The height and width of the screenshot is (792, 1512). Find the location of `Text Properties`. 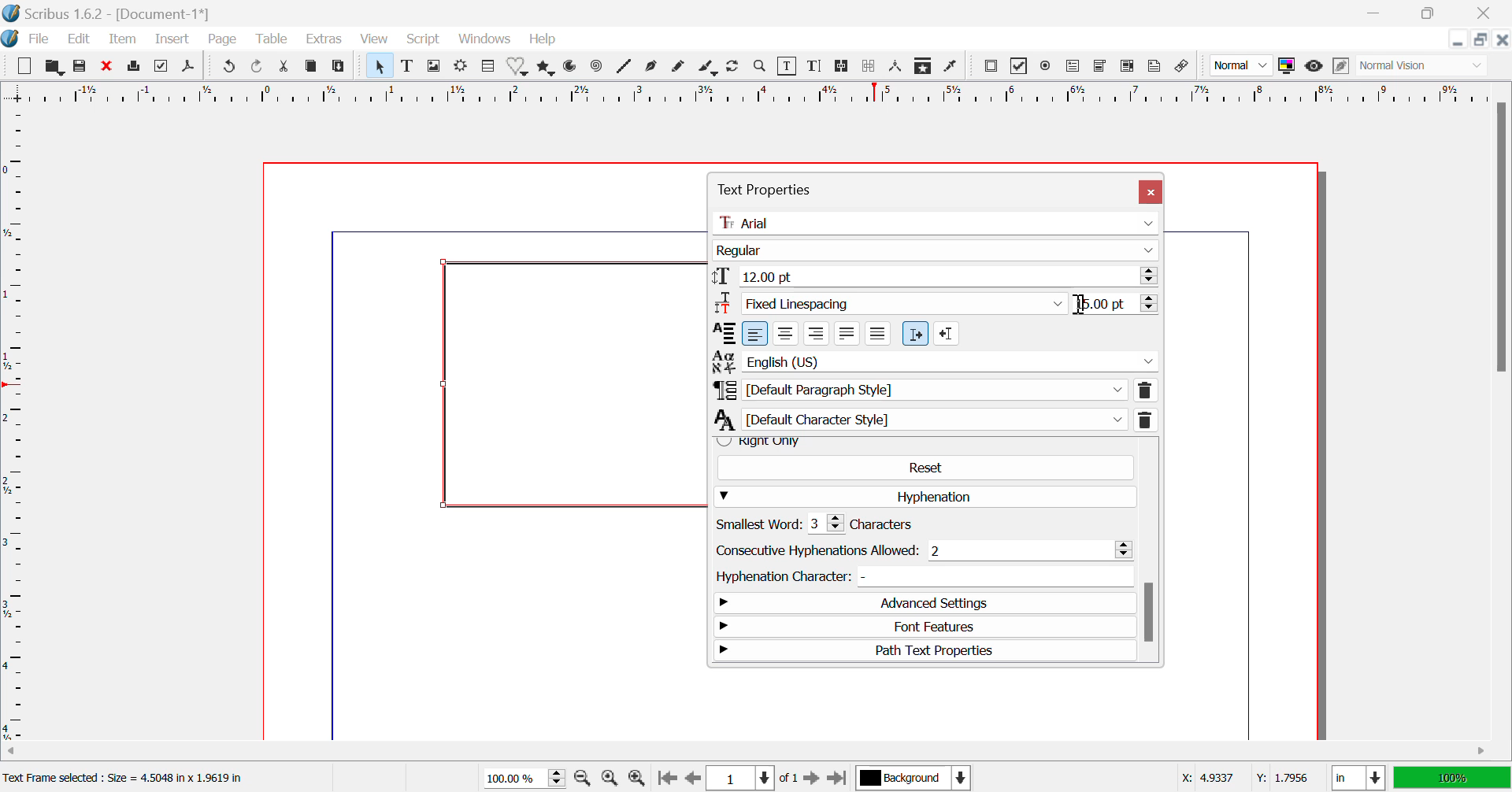

Text Properties is located at coordinates (858, 187).